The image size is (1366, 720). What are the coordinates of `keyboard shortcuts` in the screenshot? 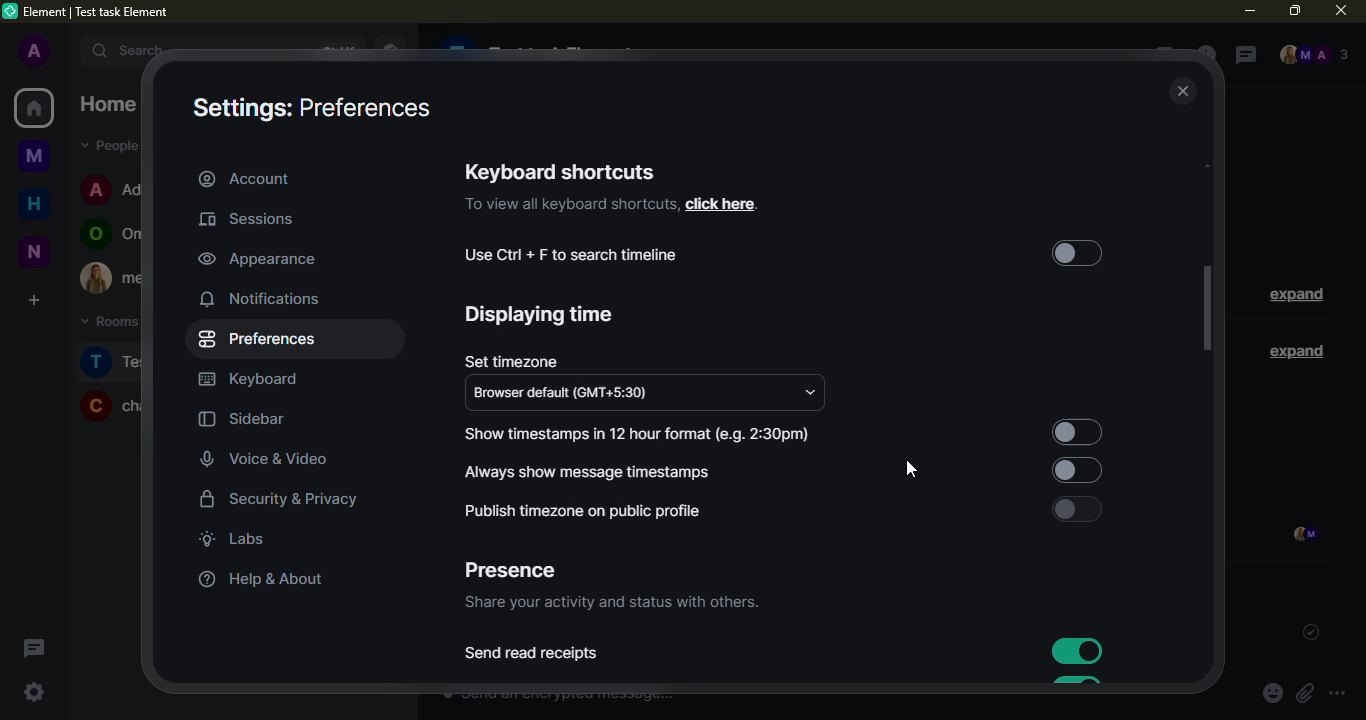 It's located at (560, 171).